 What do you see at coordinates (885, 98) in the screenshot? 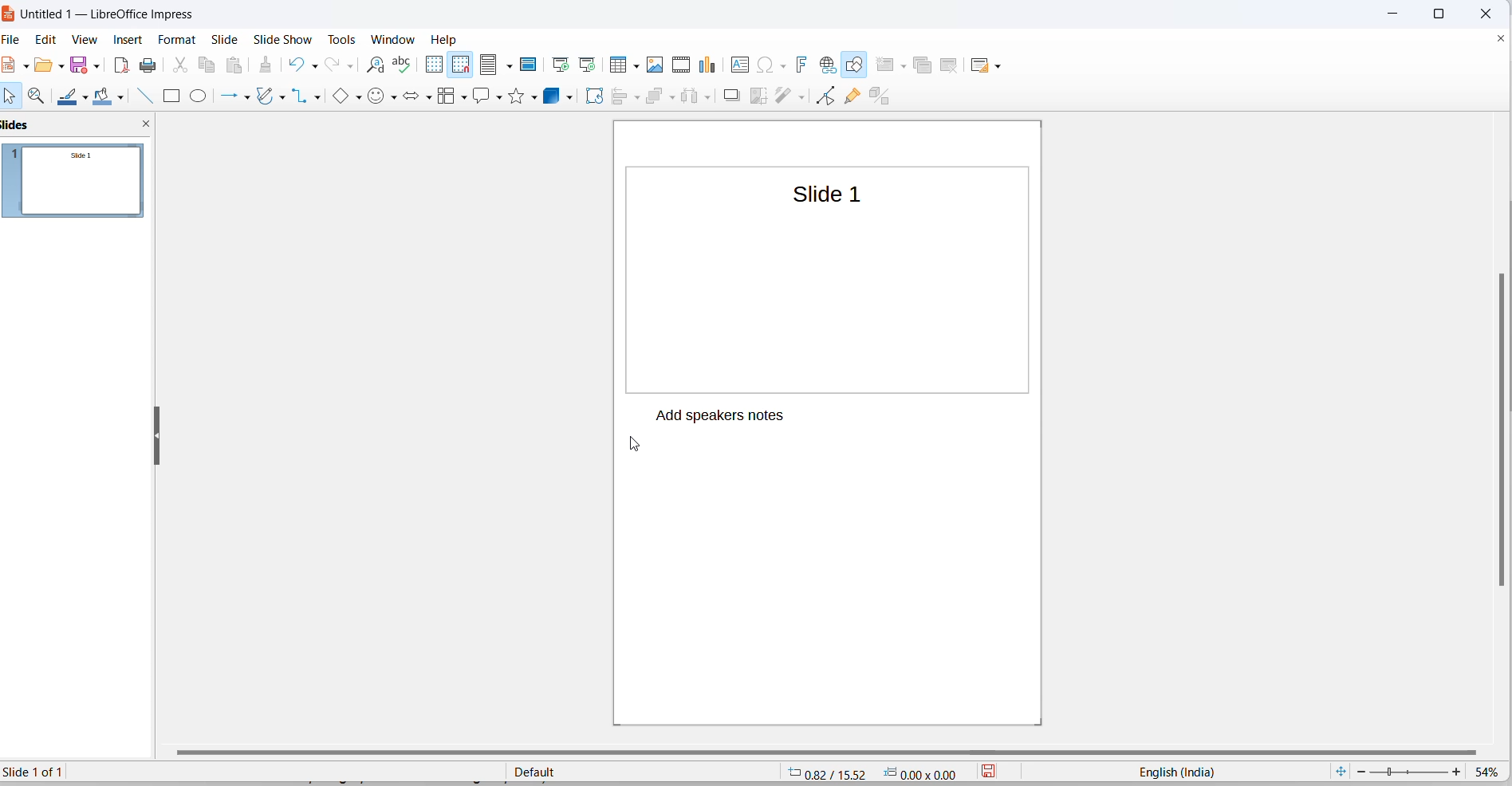
I see `toggle extrusion` at bounding box center [885, 98].